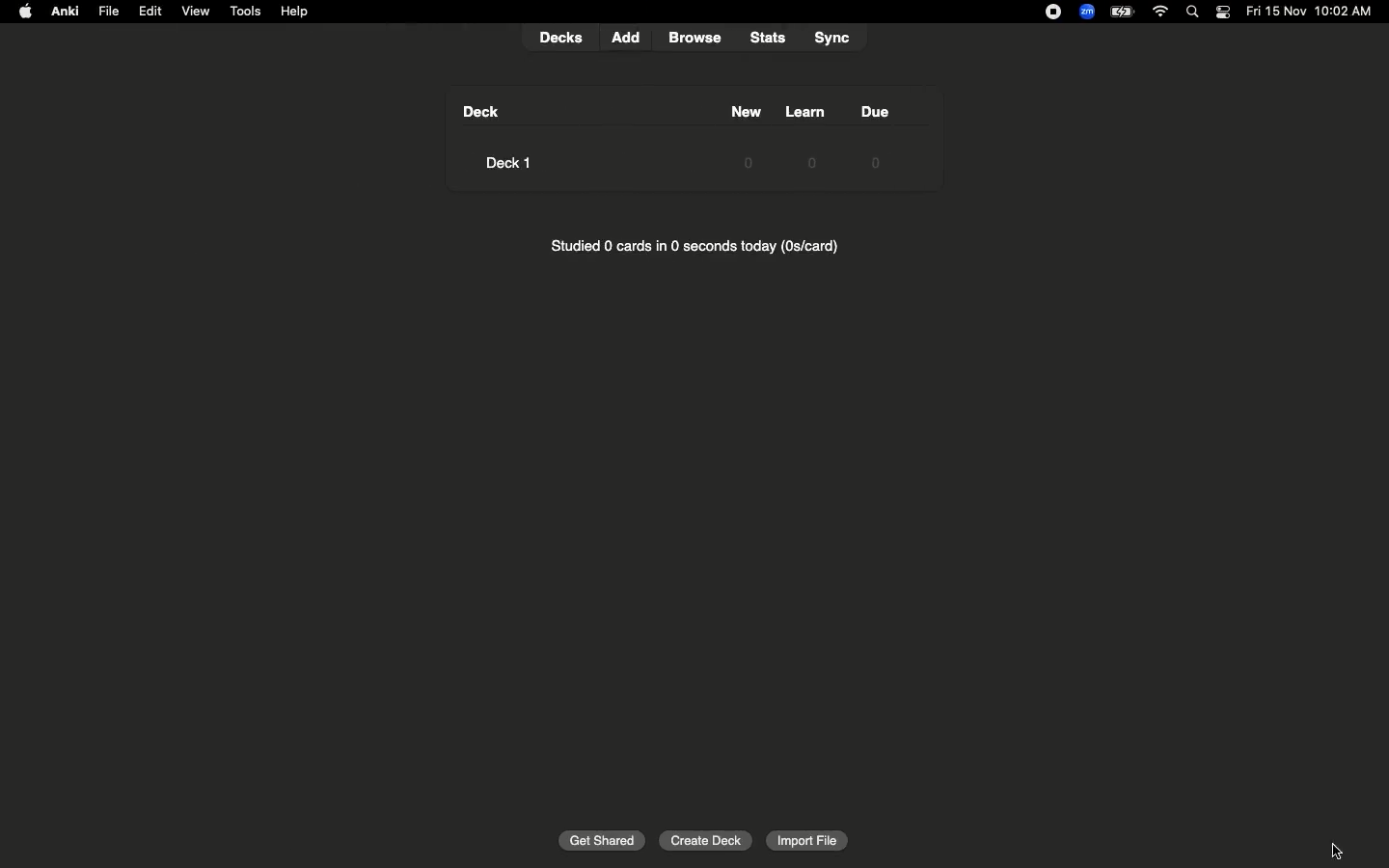  What do you see at coordinates (697, 38) in the screenshot?
I see `` at bounding box center [697, 38].